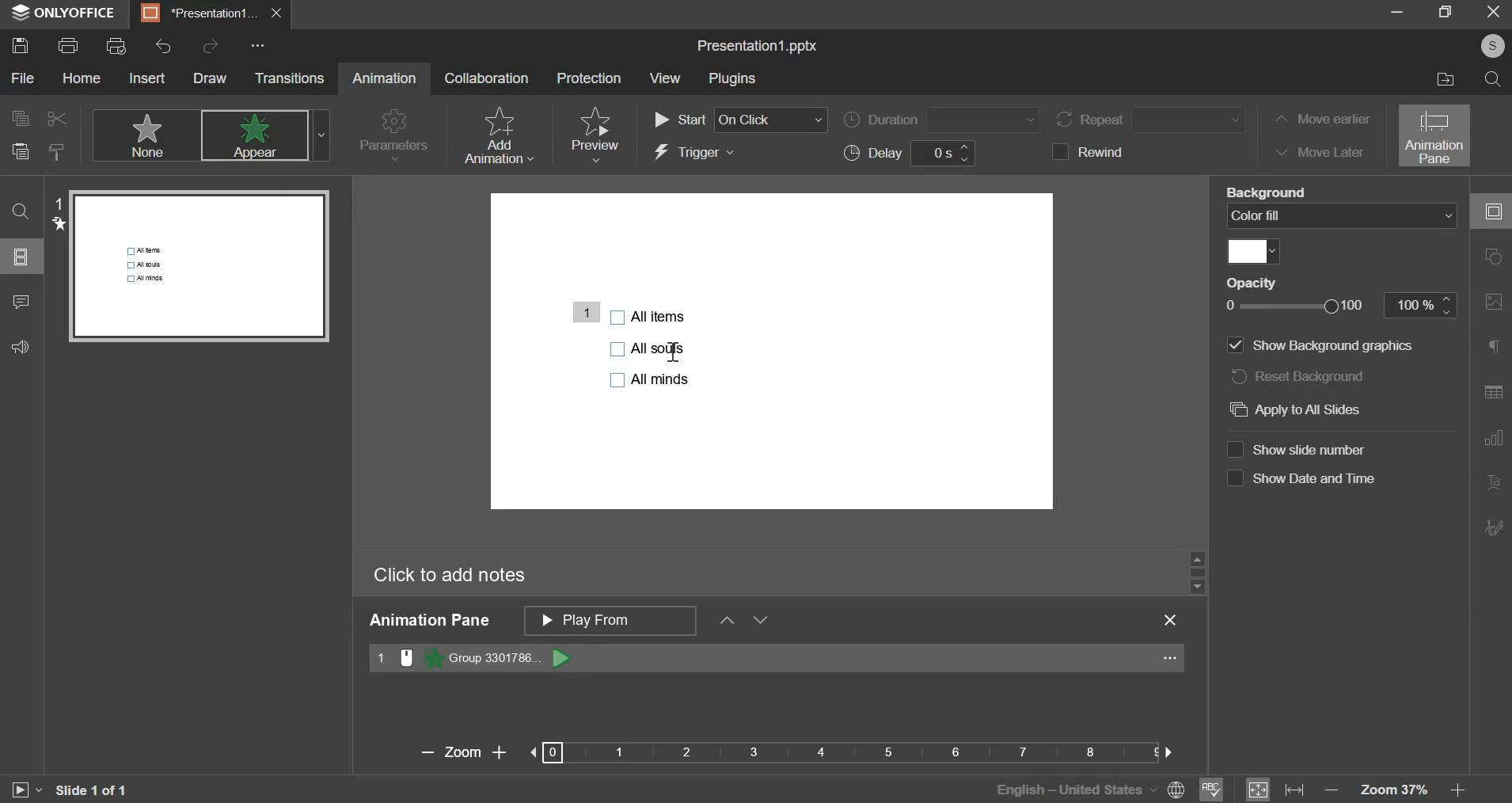 This screenshot has width=1512, height=803. I want to click on find, so click(21, 211).